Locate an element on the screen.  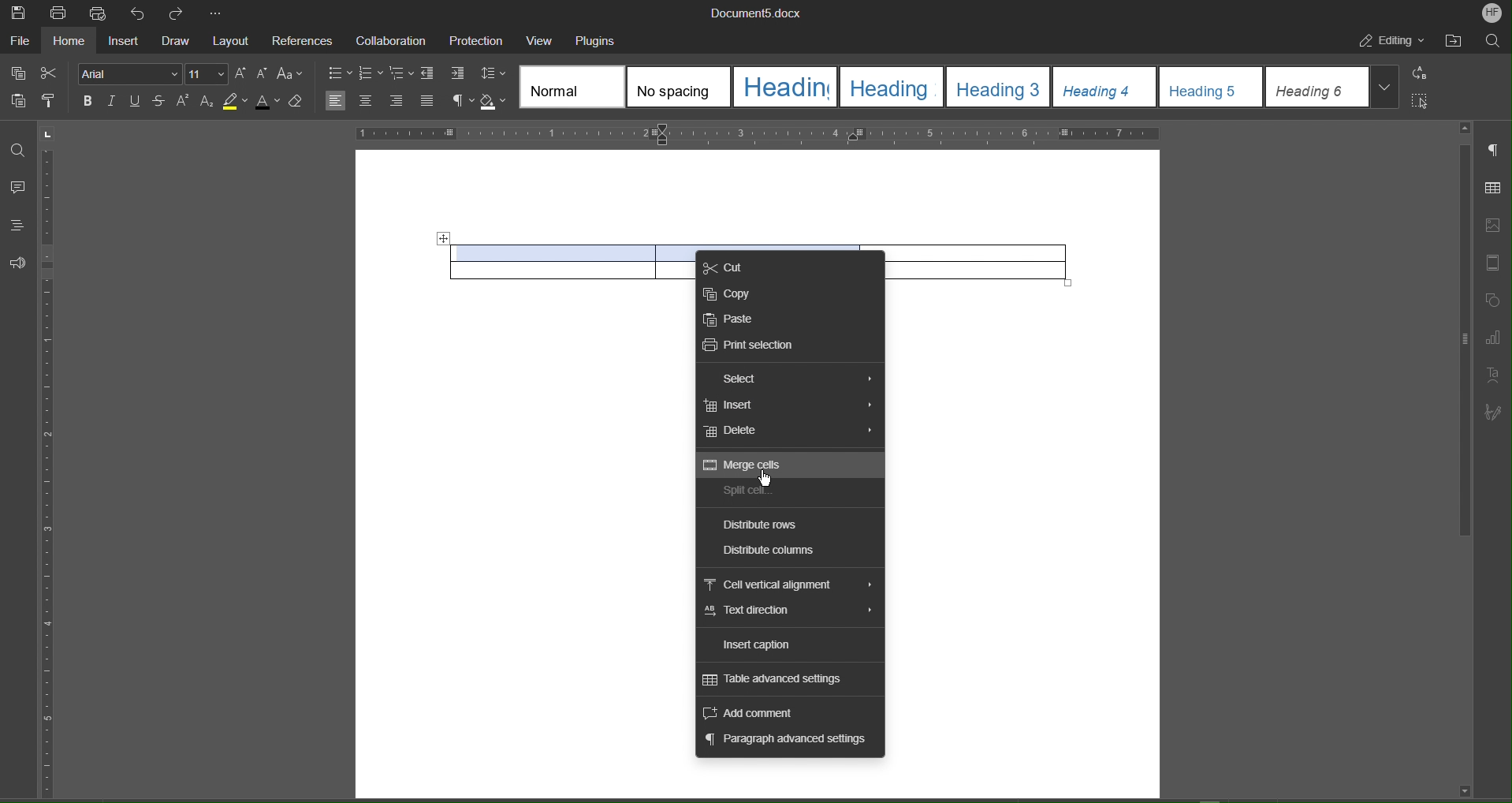
Font is located at coordinates (128, 75).